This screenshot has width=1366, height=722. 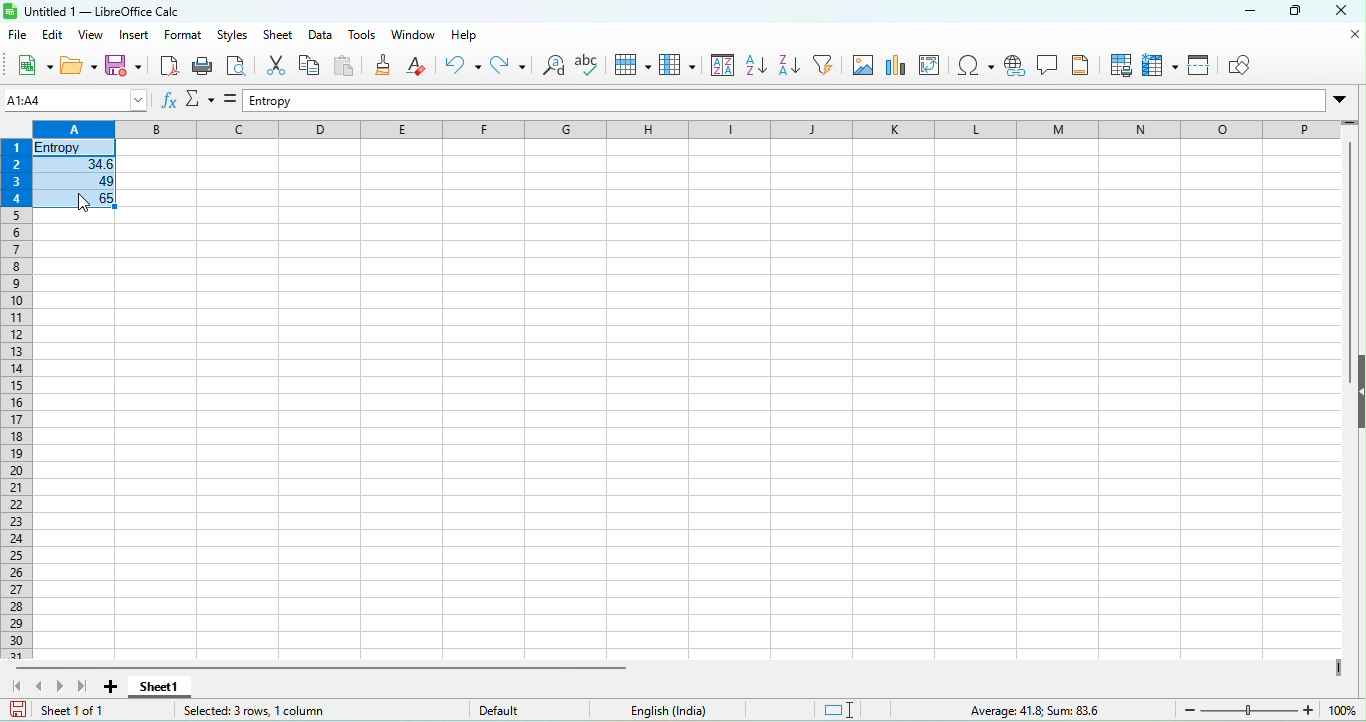 I want to click on insert, so click(x=135, y=37).